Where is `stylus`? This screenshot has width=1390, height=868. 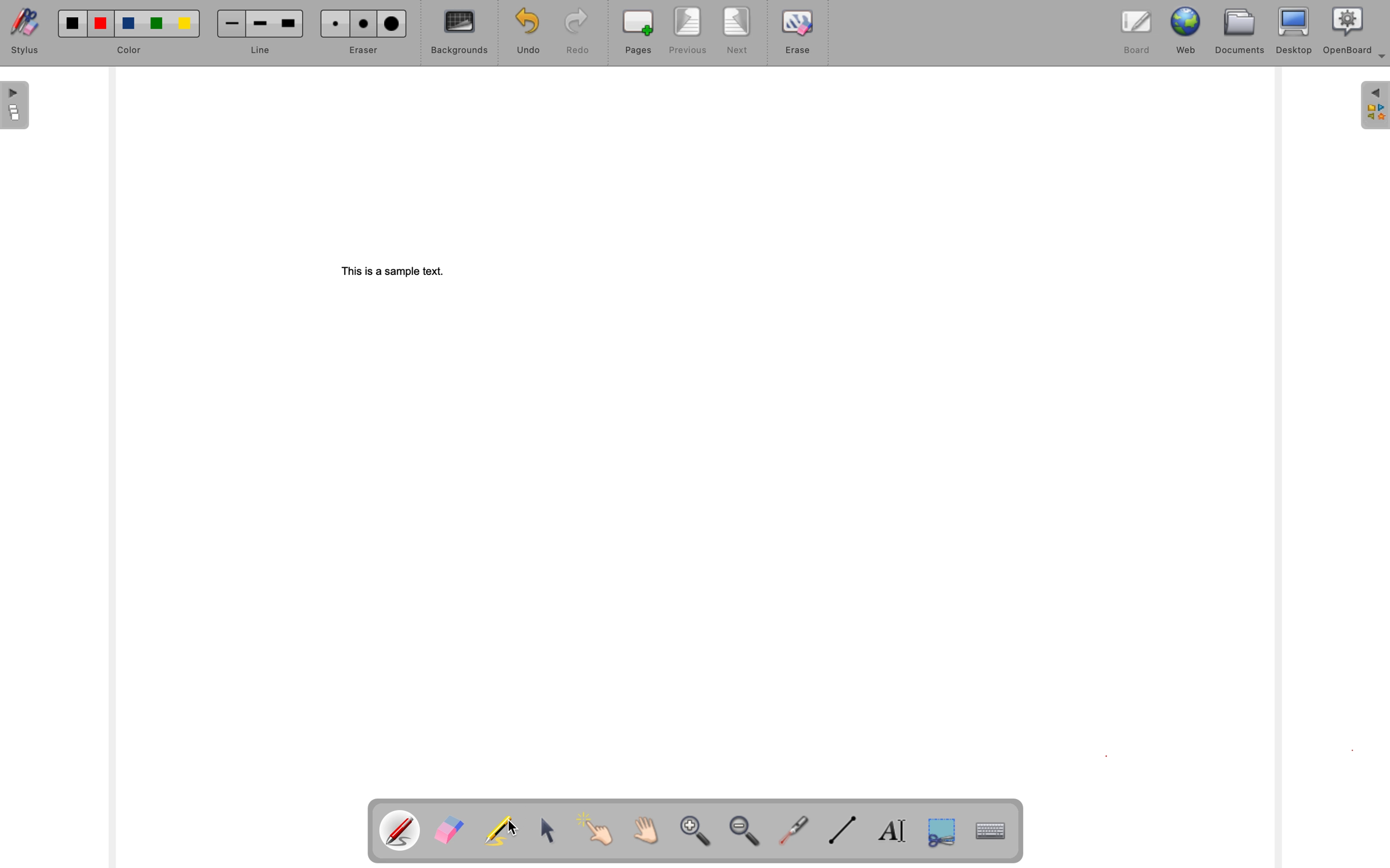 stylus is located at coordinates (25, 32).